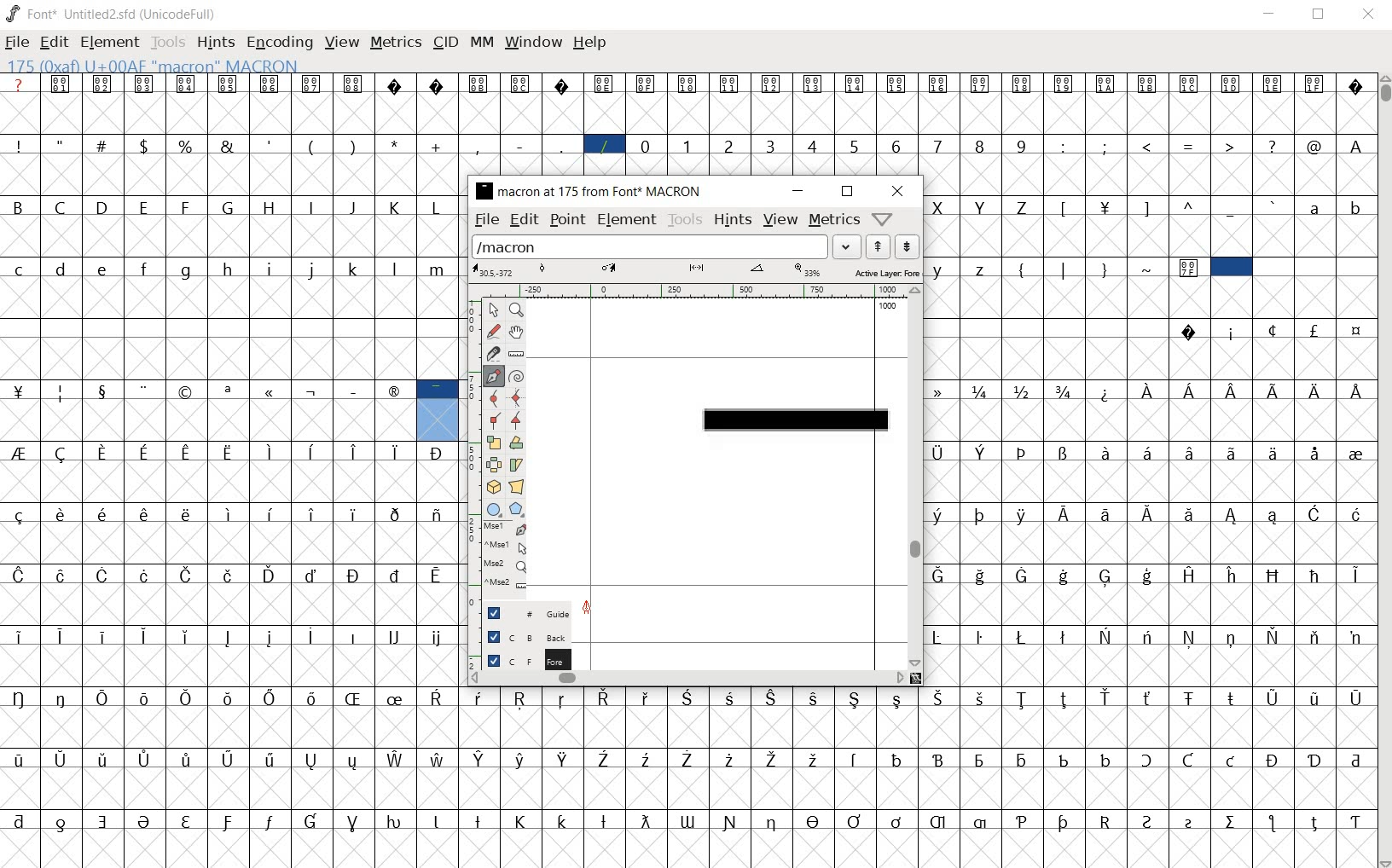 The width and height of the screenshot is (1392, 868). Describe the element at coordinates (20, 454) in the screenshot. I see `Symbol` at that location.